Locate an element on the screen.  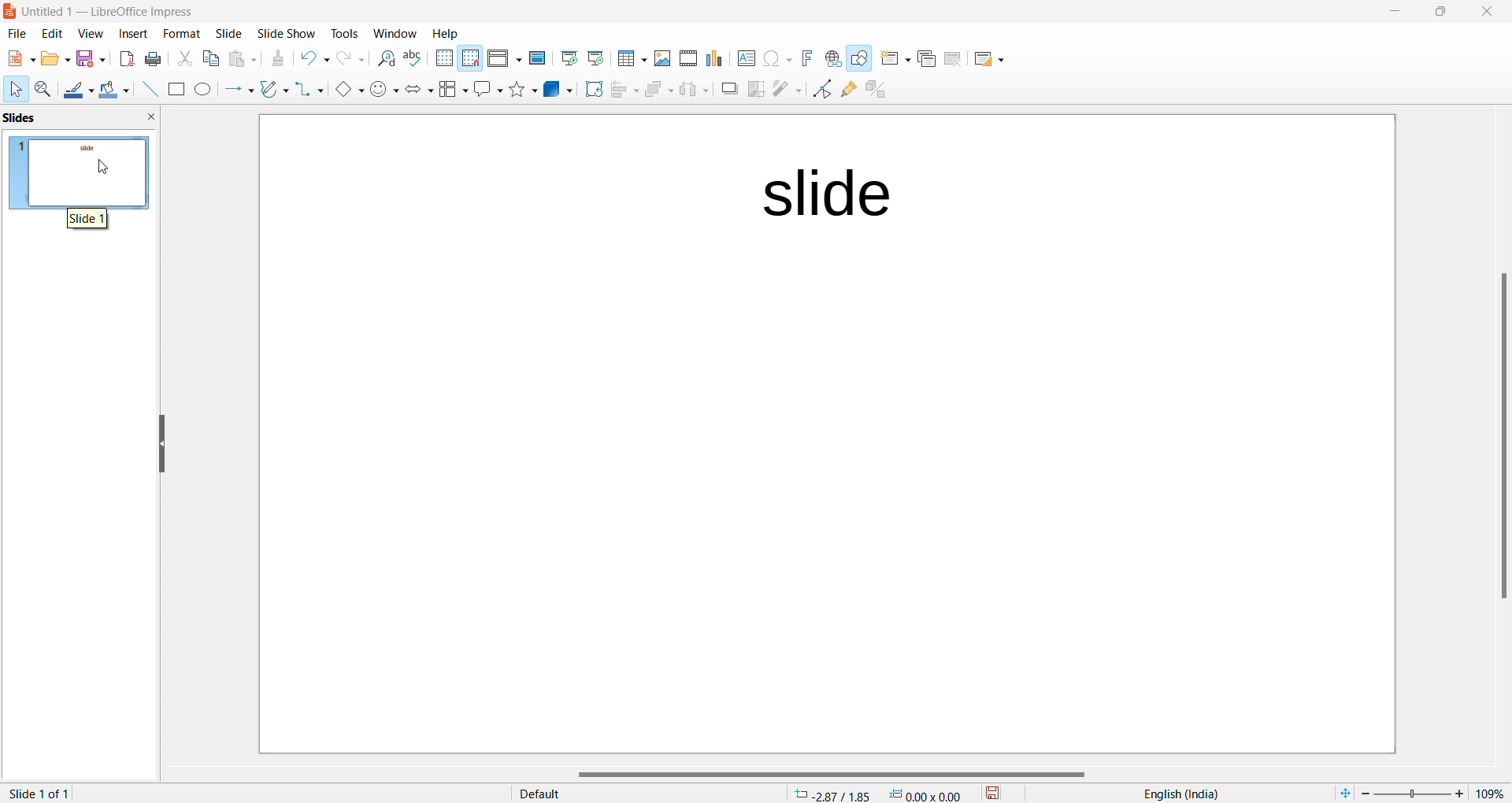
slide preview is located at coordinates (83, 170).